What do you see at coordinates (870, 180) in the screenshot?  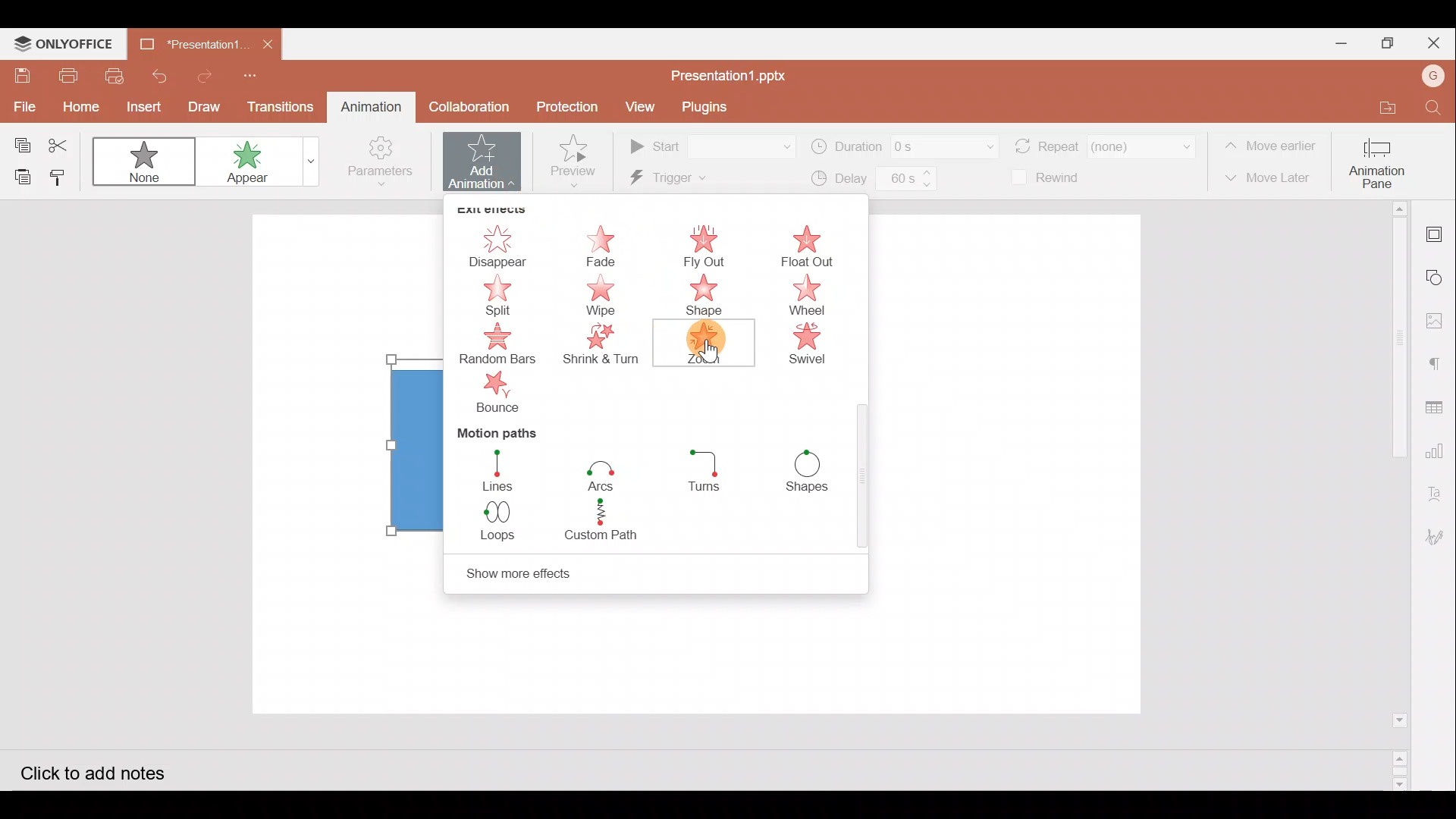 I see `Delay` at bounding box center [870, 180].